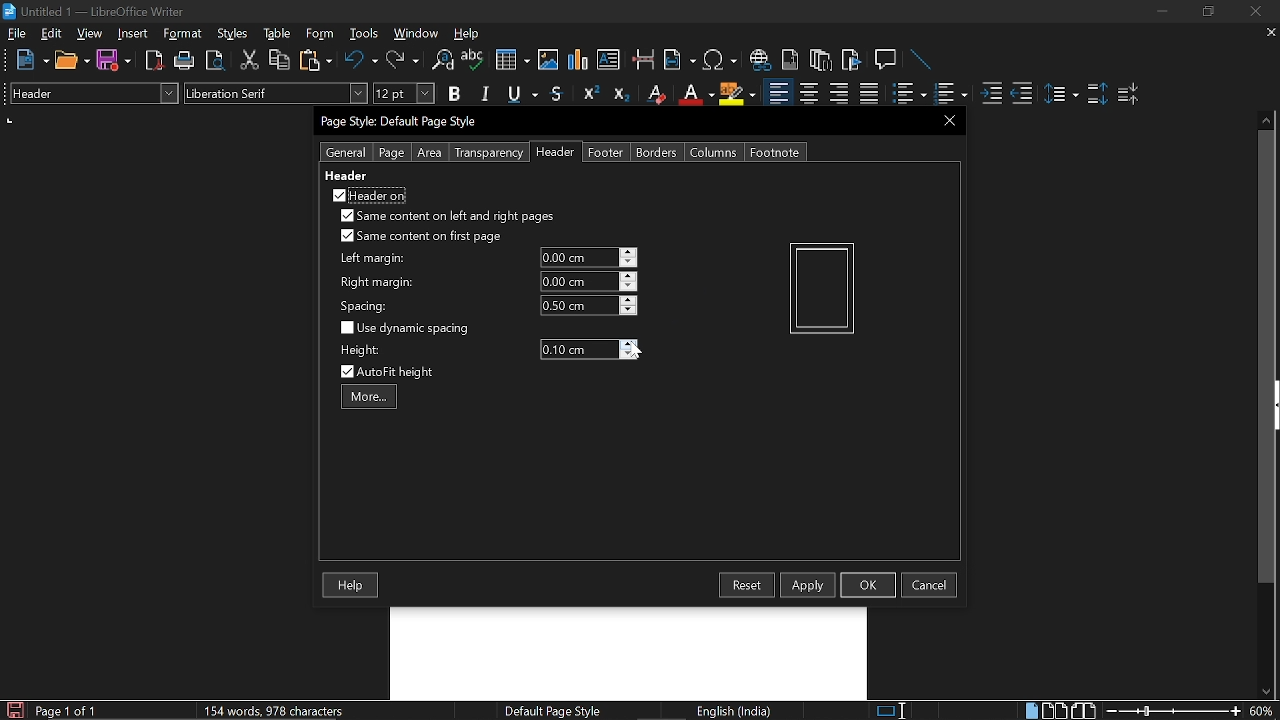 The image size is (1280, 720). Describe the element at coordinates (870, 94) in the screenshot. I see `Justified` at that location.